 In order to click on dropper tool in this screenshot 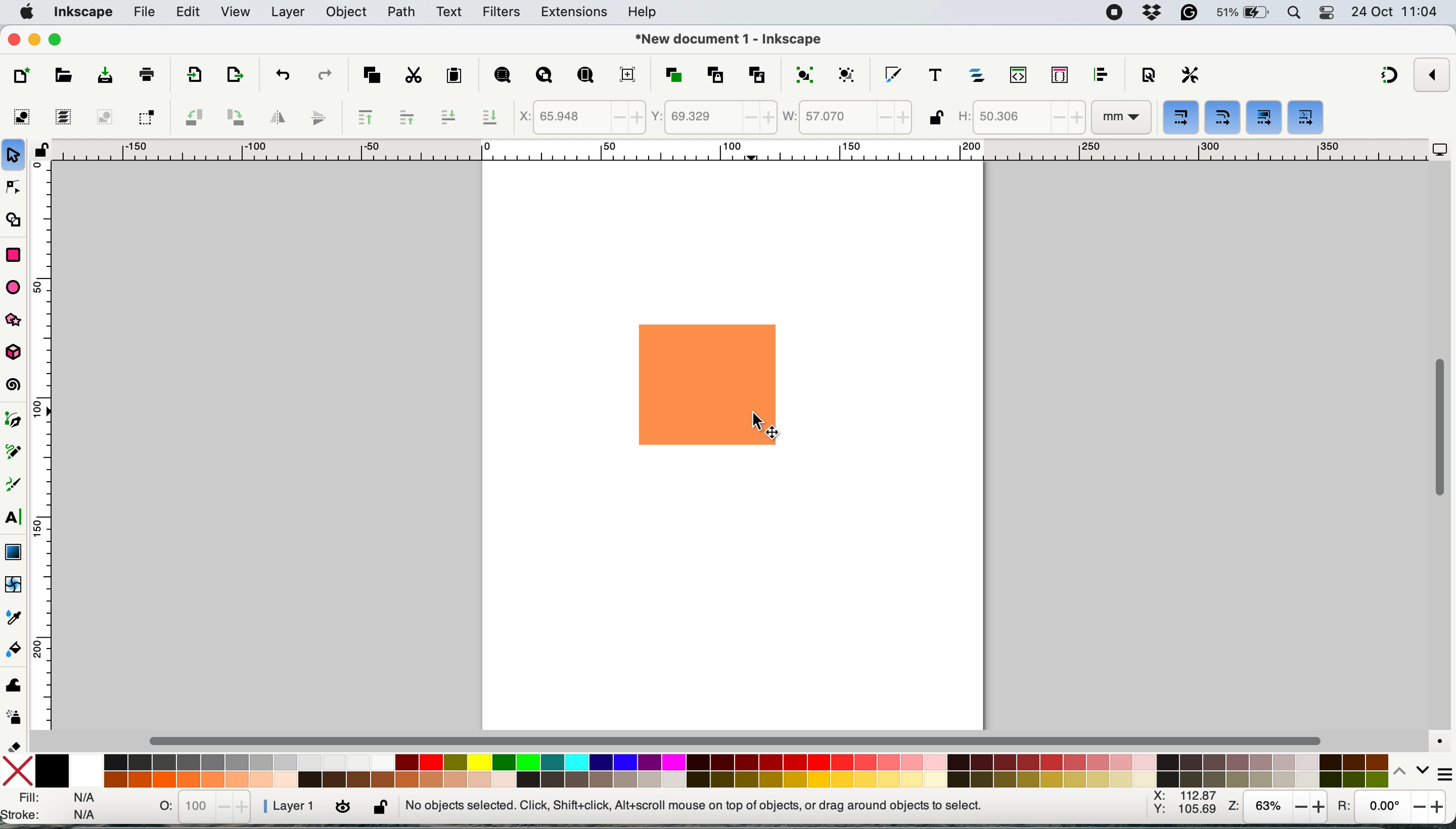, I will do `click(15, 617)`.